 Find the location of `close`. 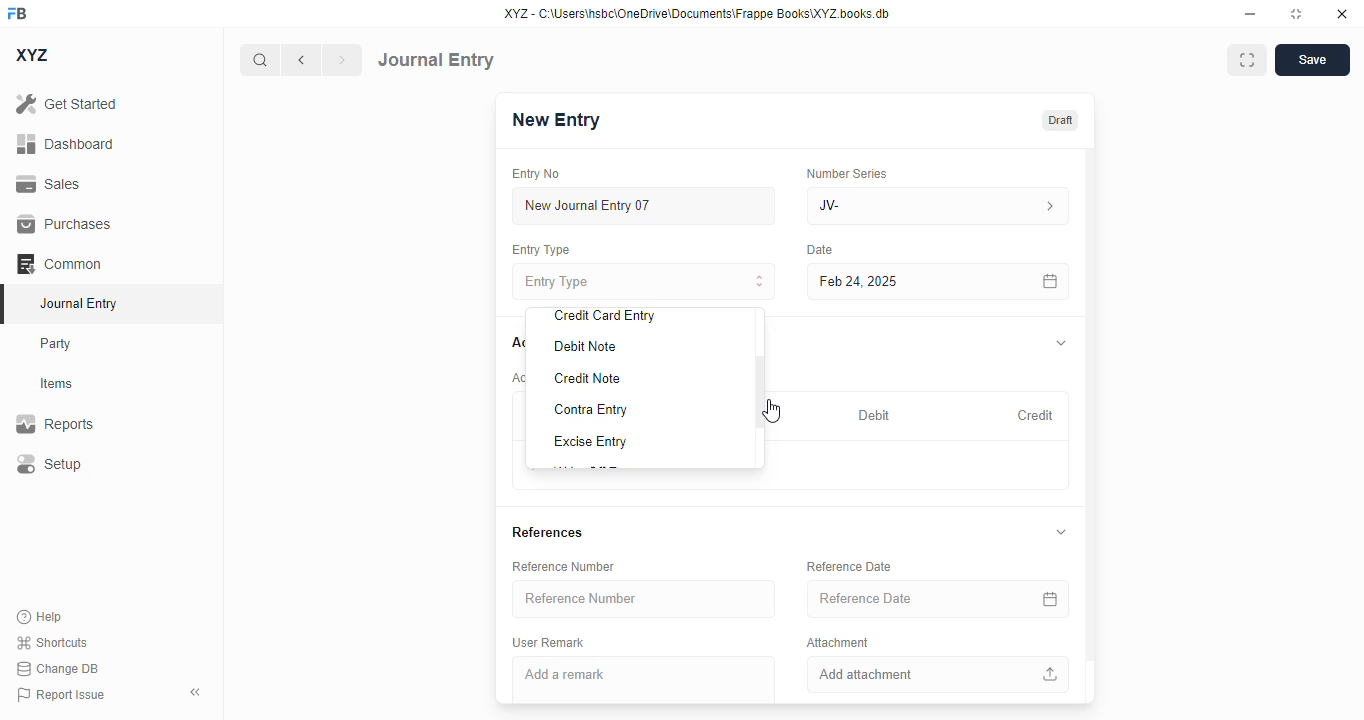

close is located at coordinates (1342, 14).